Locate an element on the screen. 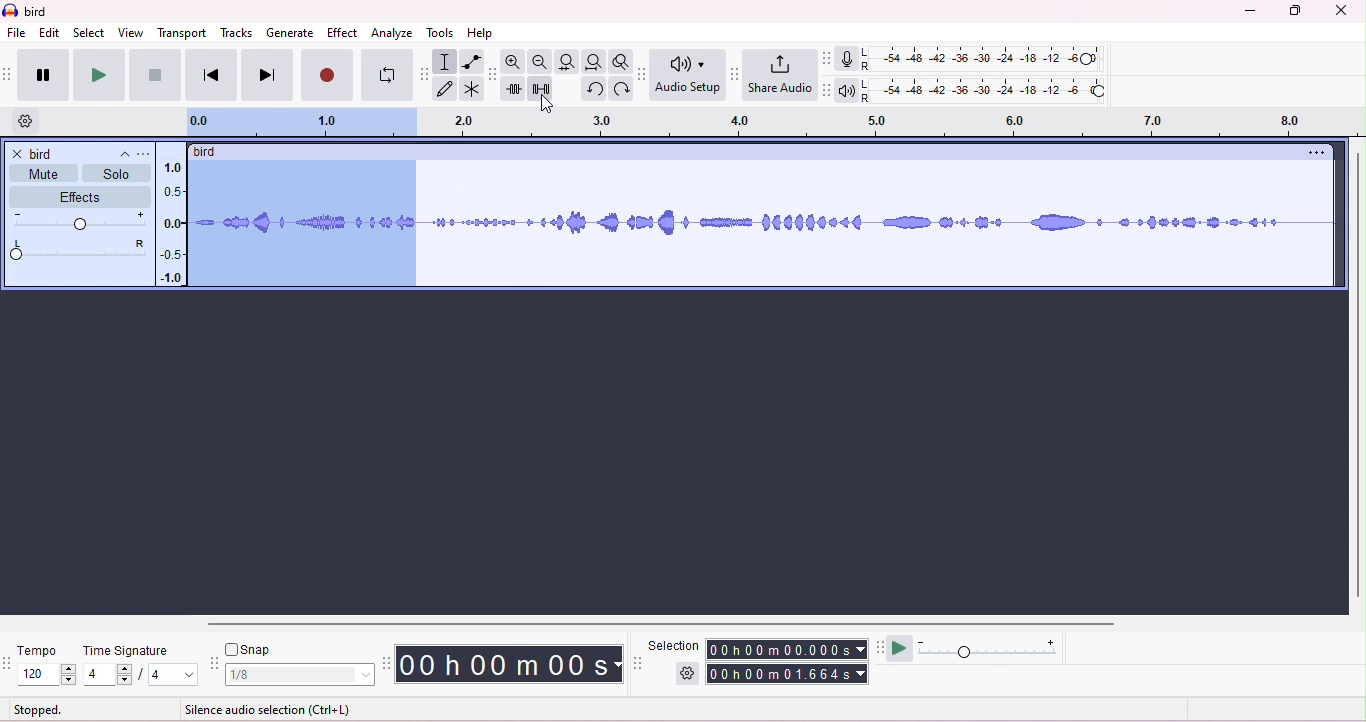 Image resolution: width=1366 pixels, height=722 pixels. minimize is located at coordinates (1247, 13).